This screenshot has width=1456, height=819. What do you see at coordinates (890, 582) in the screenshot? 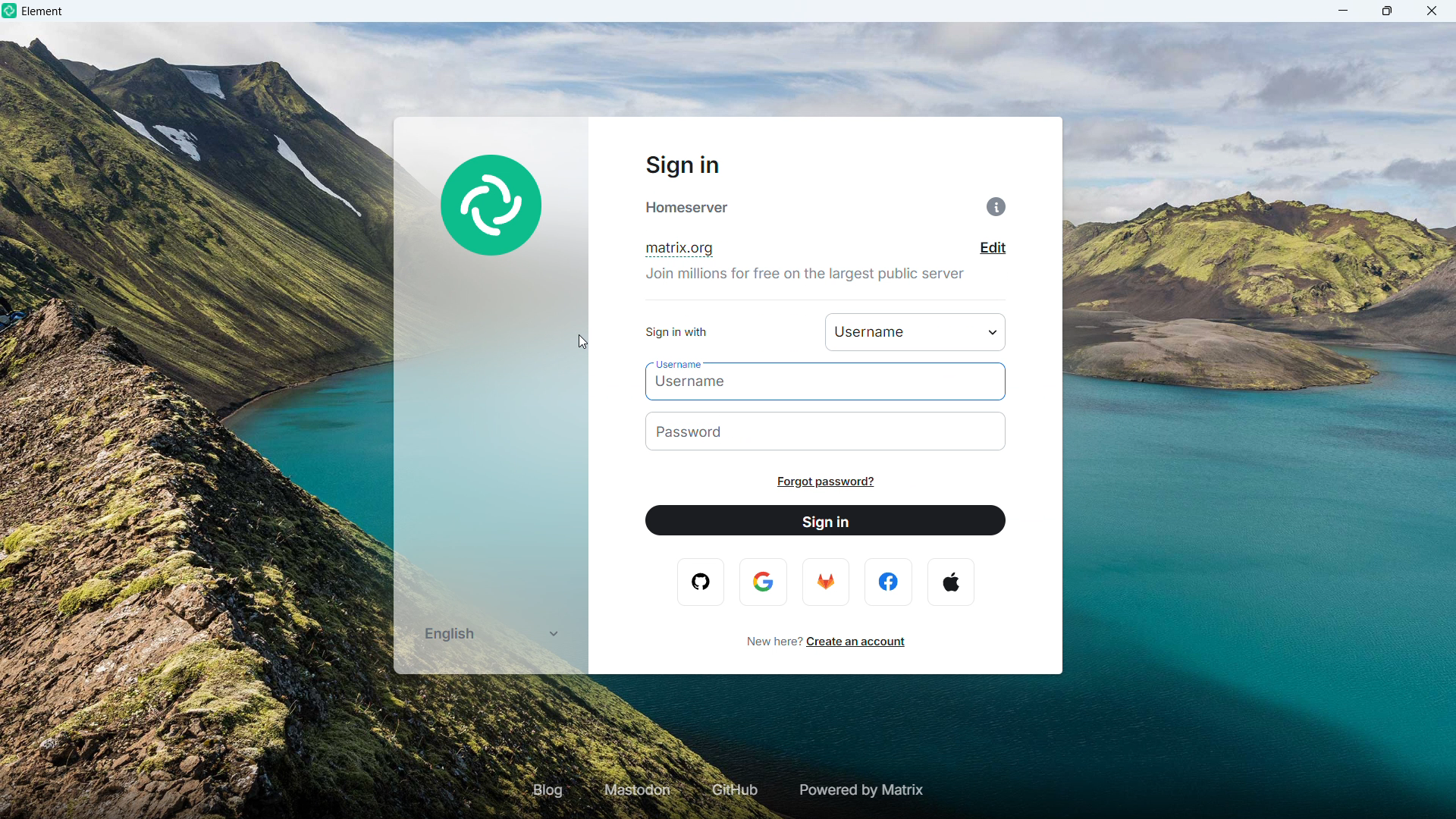
I see `facebook logo` at bounding box center [890, 582].